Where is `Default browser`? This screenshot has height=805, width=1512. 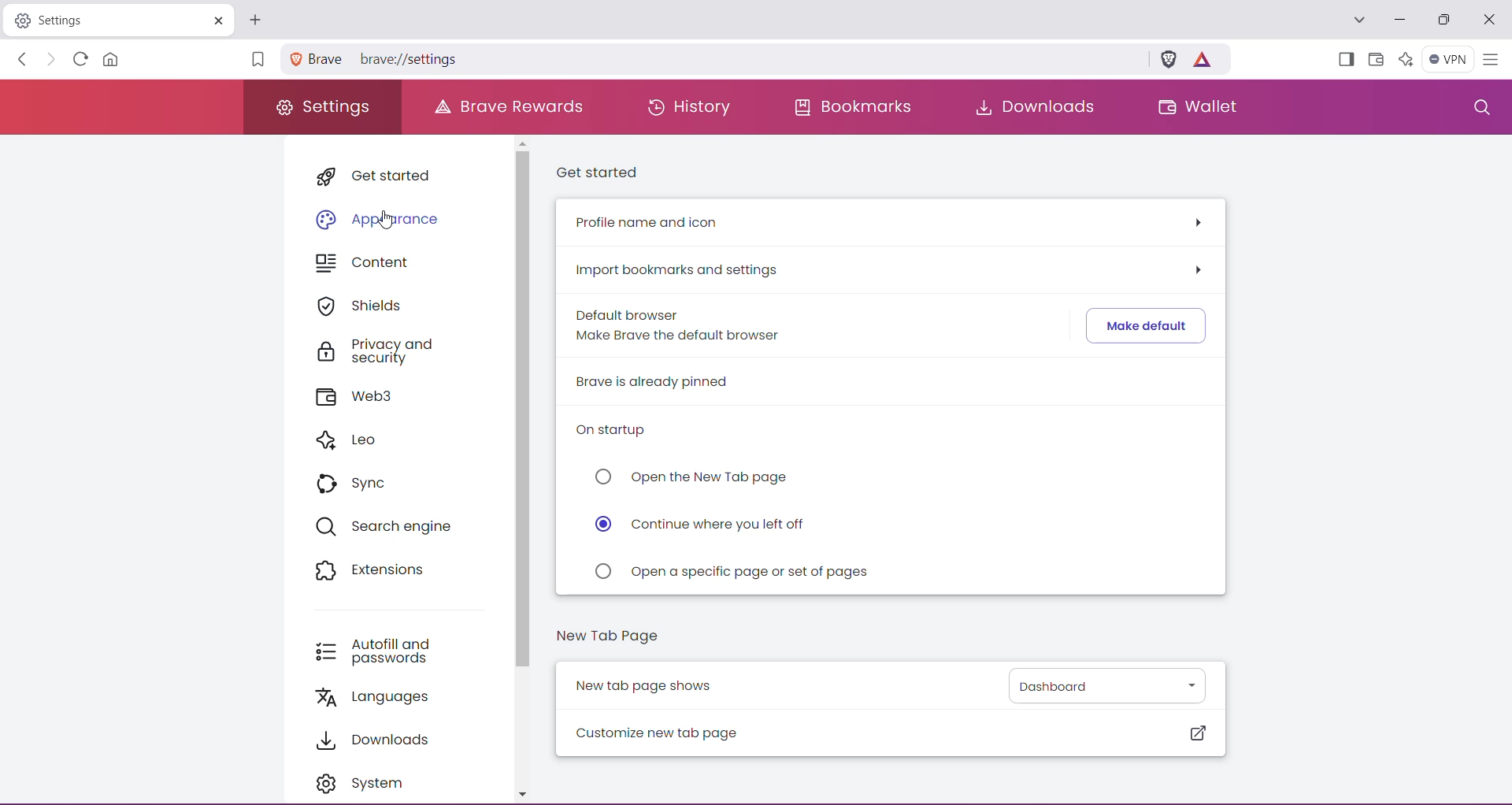 Default browser is located at coordinates (625, 312).